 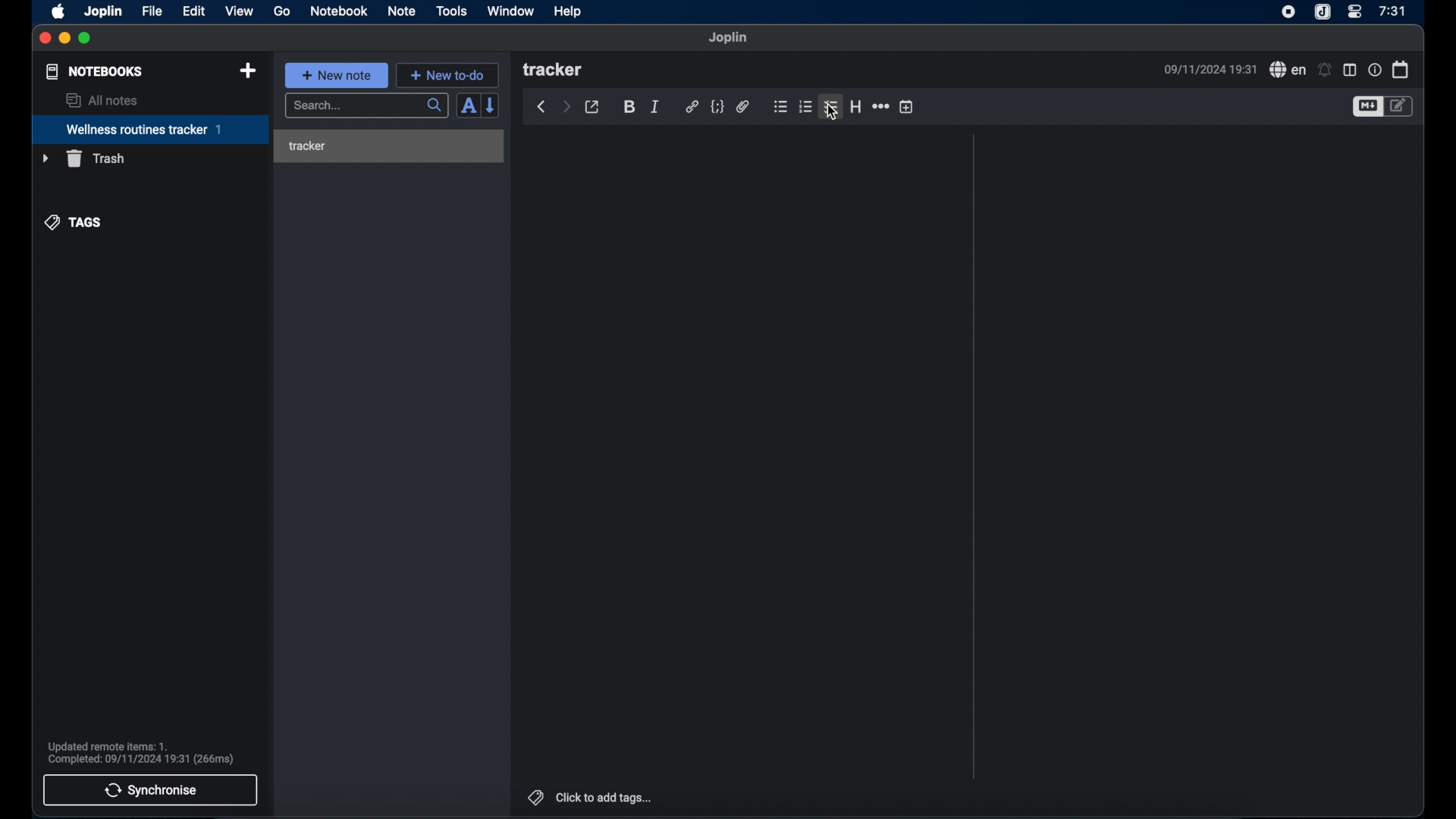 What do you see at coordinates (743, 108) in the screenshot?
I see `attach file` at bounding box center [743, 108].